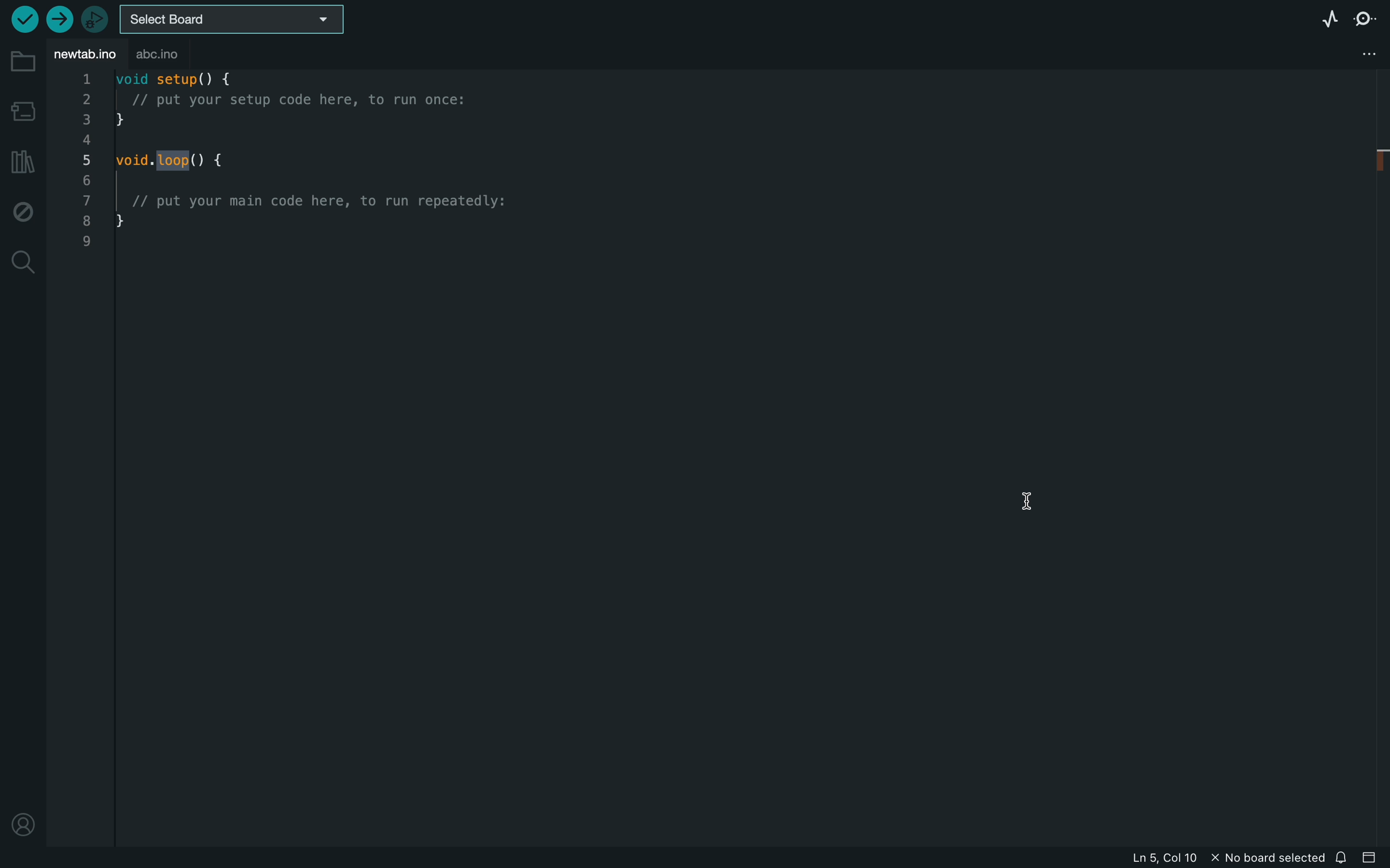  Describe the element at coordinates (1310, 18) in the screenshot. I see `serial plotter` at that location.